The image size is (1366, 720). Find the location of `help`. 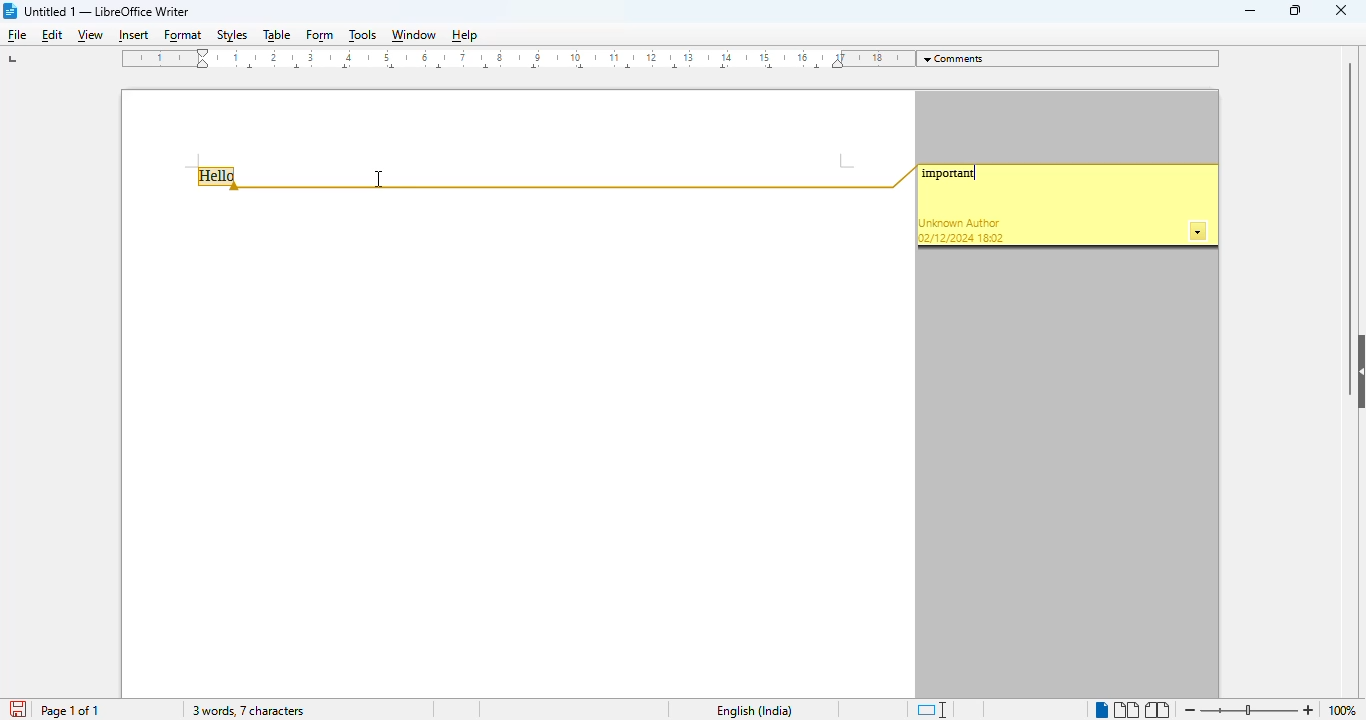

help is located at coordinates (464, 35).